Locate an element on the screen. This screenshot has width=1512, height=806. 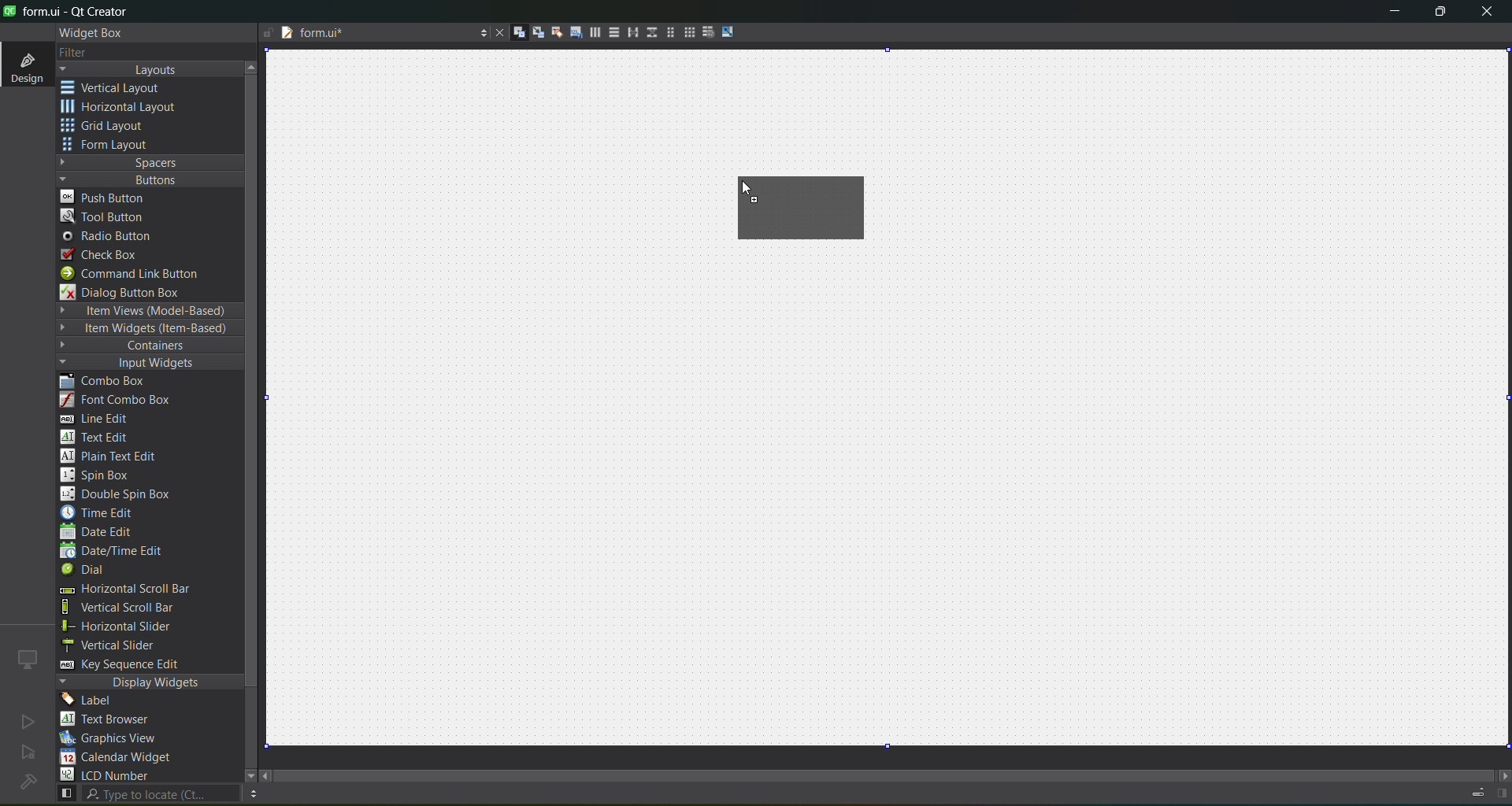
edit widgets is located at coordinates (513, 33).